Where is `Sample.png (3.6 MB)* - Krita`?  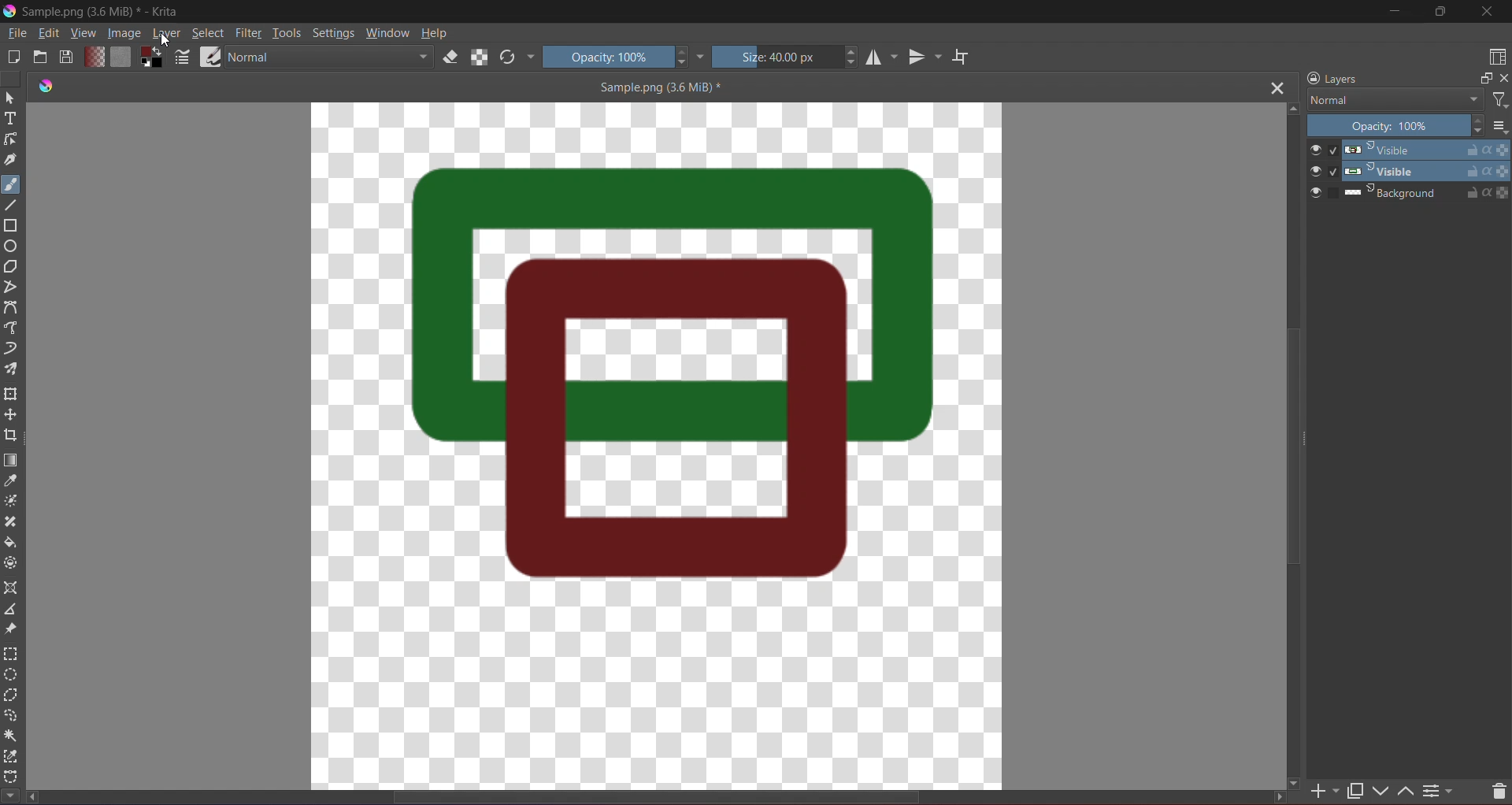
Sample.png (3.6 MB)* - Krita is located at coordinates (102, 15).